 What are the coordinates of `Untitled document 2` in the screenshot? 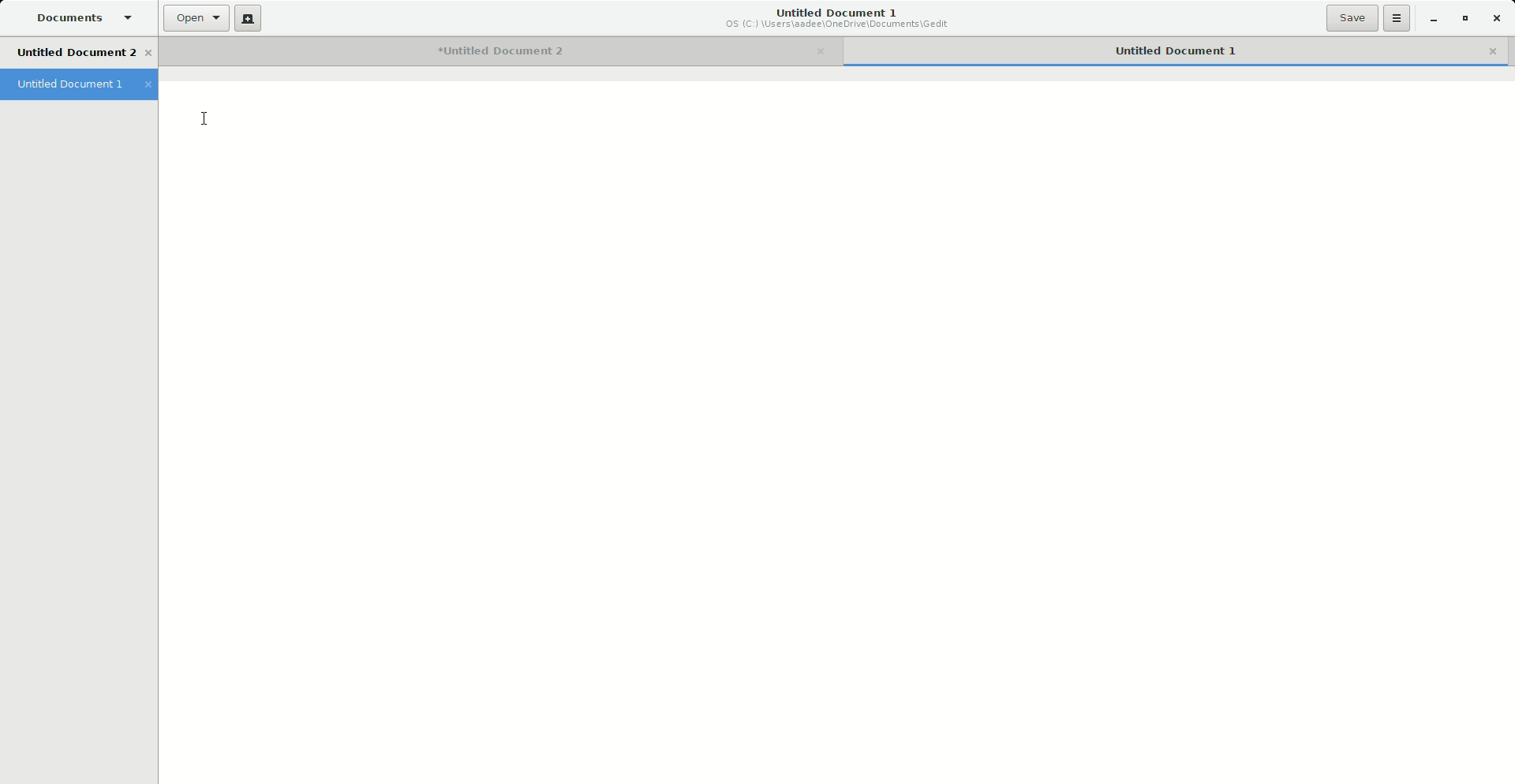 It's located at (86, 52).